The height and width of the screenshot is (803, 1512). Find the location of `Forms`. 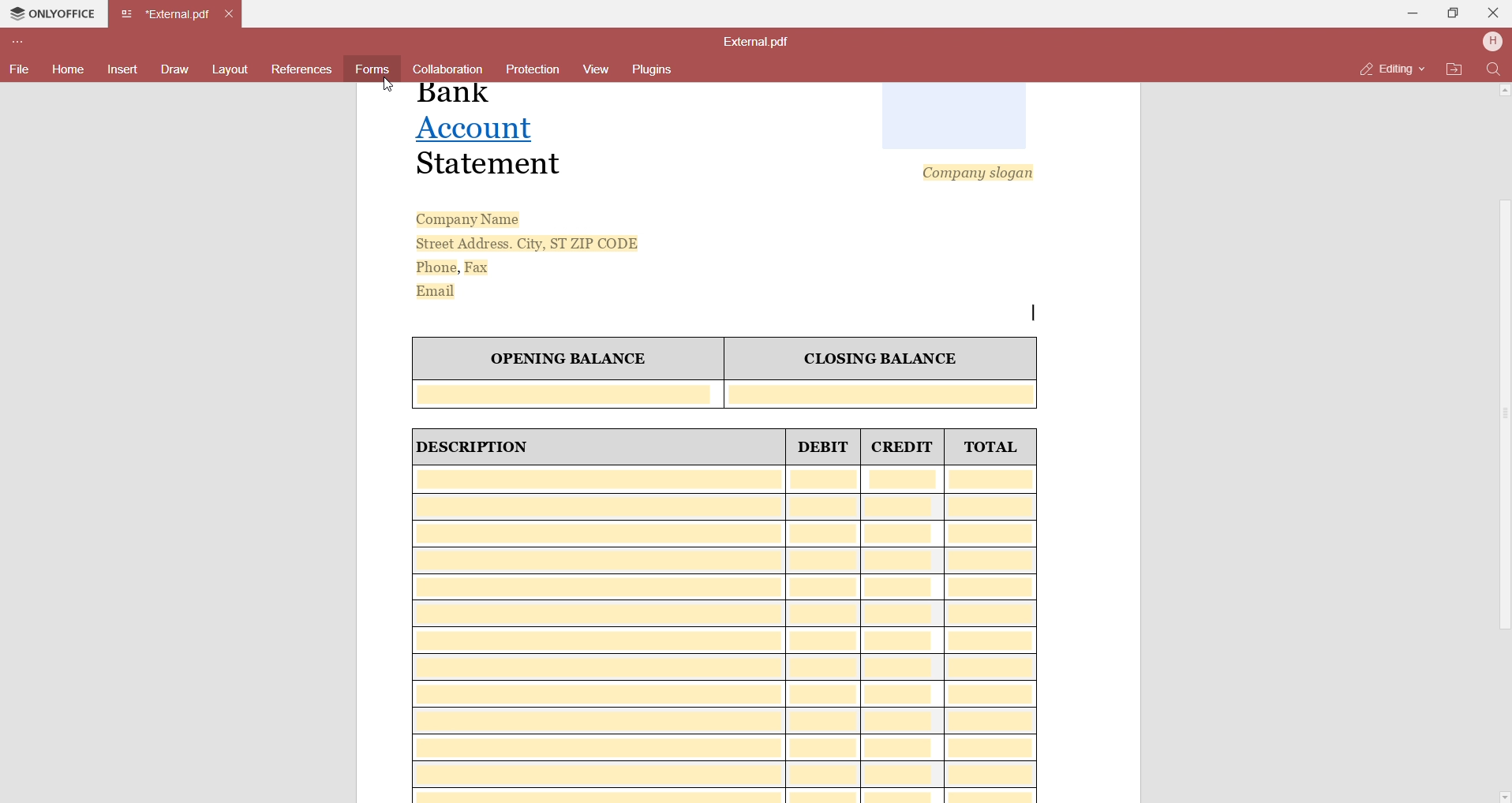

Forms is located at coordinates (372, 69).